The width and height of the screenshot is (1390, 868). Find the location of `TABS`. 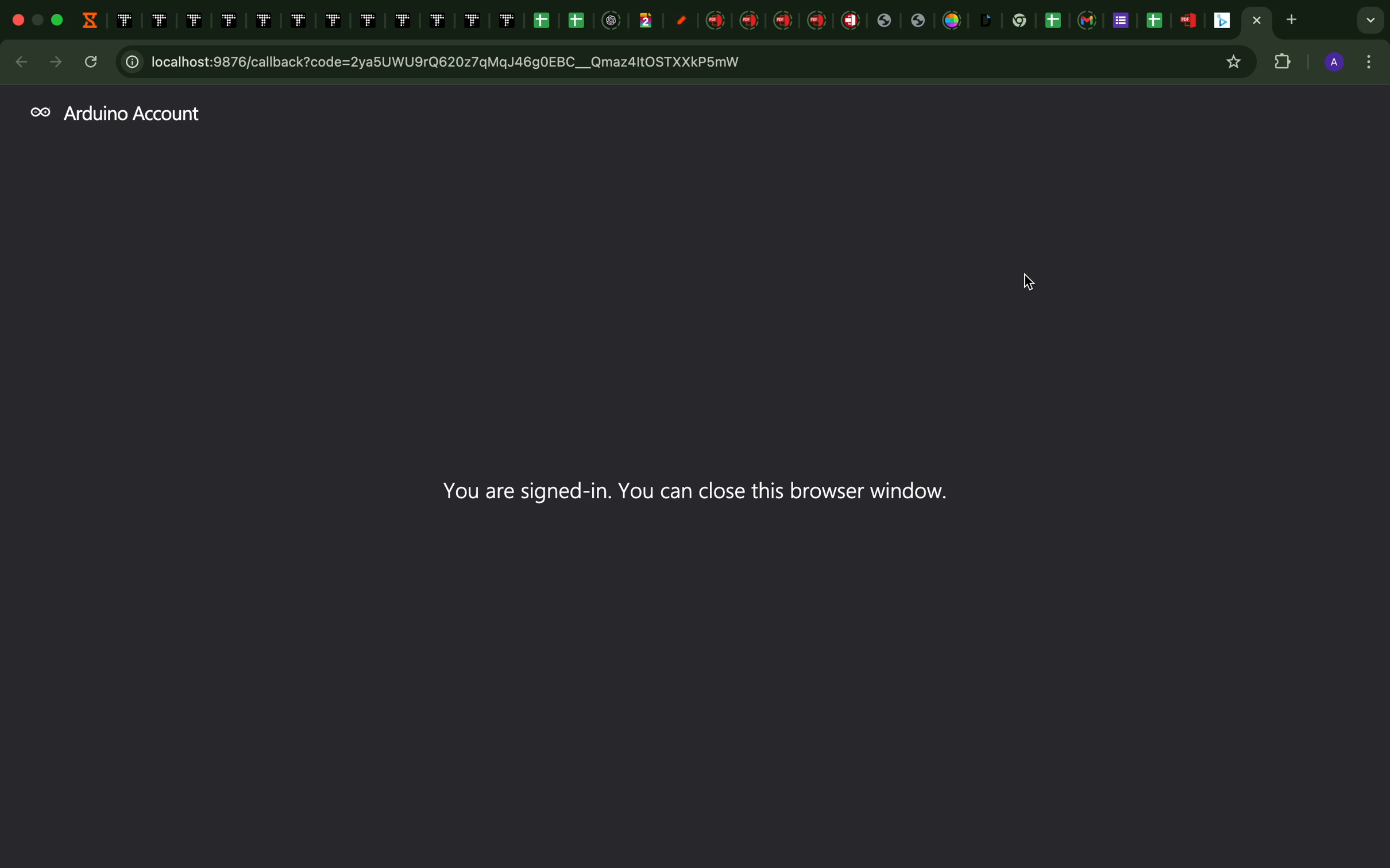

TABS is located at coordinates (694, 22).